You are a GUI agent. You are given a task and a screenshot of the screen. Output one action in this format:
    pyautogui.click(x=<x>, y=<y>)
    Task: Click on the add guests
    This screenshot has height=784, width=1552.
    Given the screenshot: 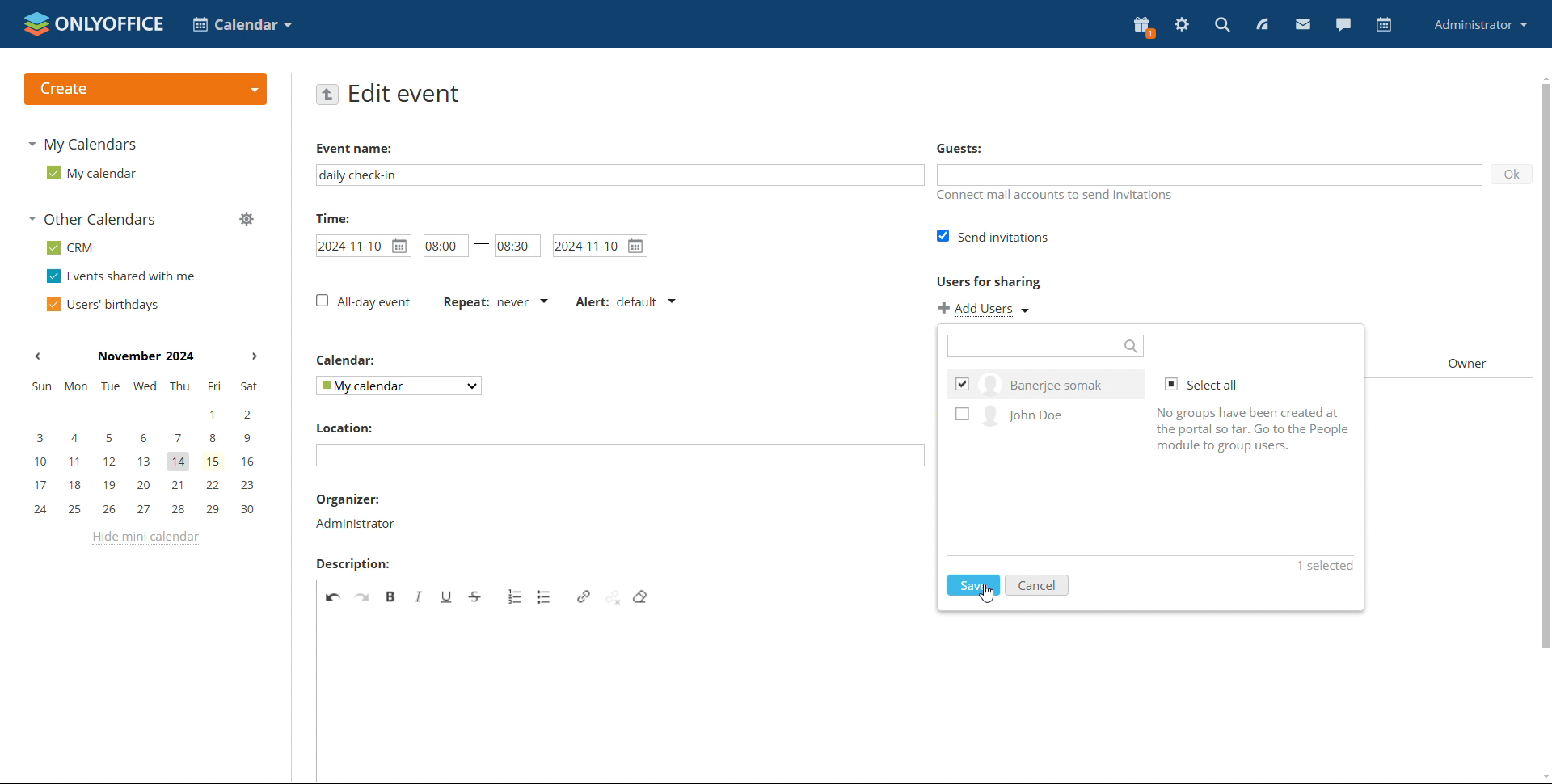 What is the action you would take?
    pyautogui.click(x=1209, y=174)
    